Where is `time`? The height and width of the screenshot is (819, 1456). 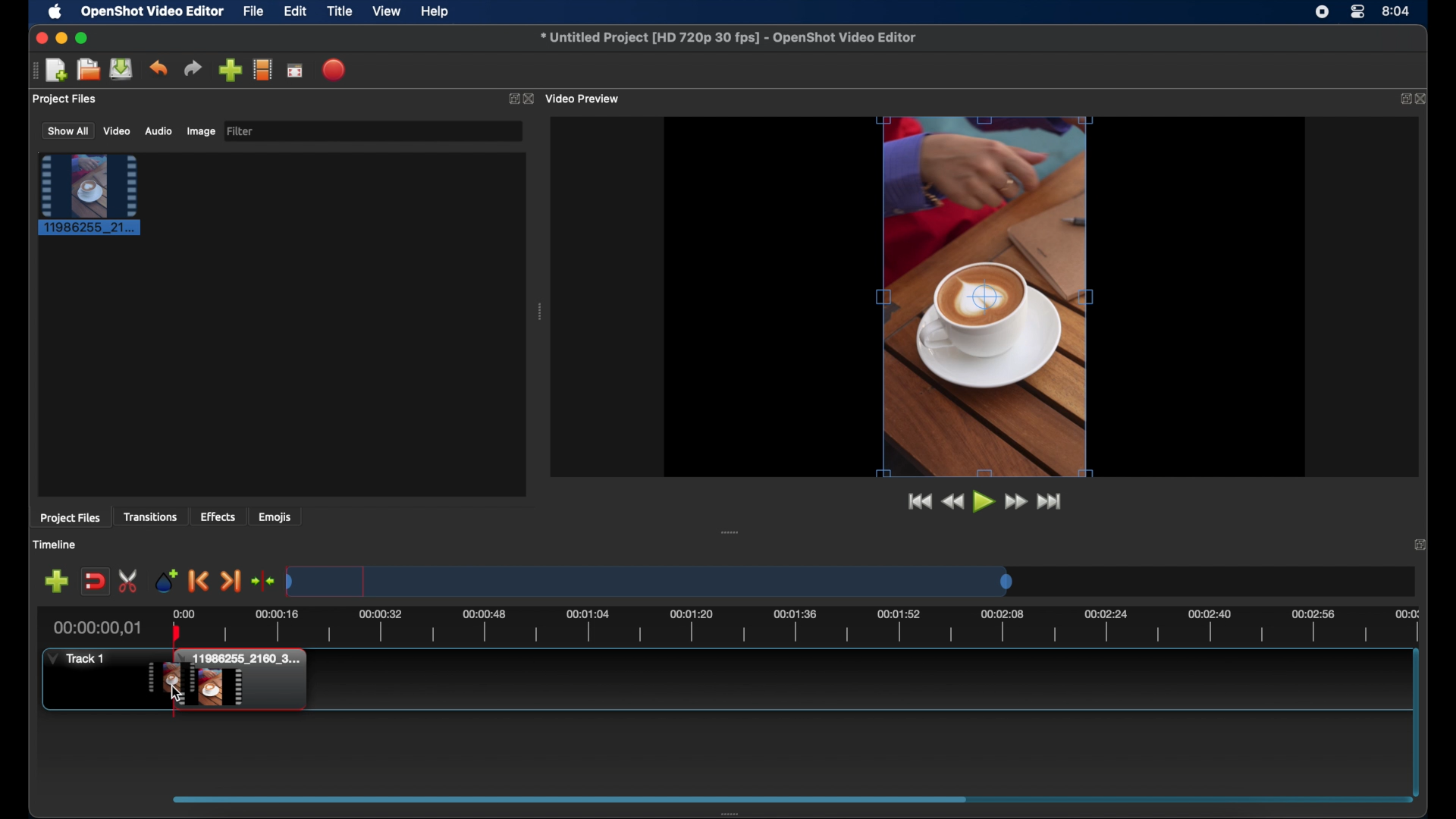
time is located at coordinates (1397, 10).